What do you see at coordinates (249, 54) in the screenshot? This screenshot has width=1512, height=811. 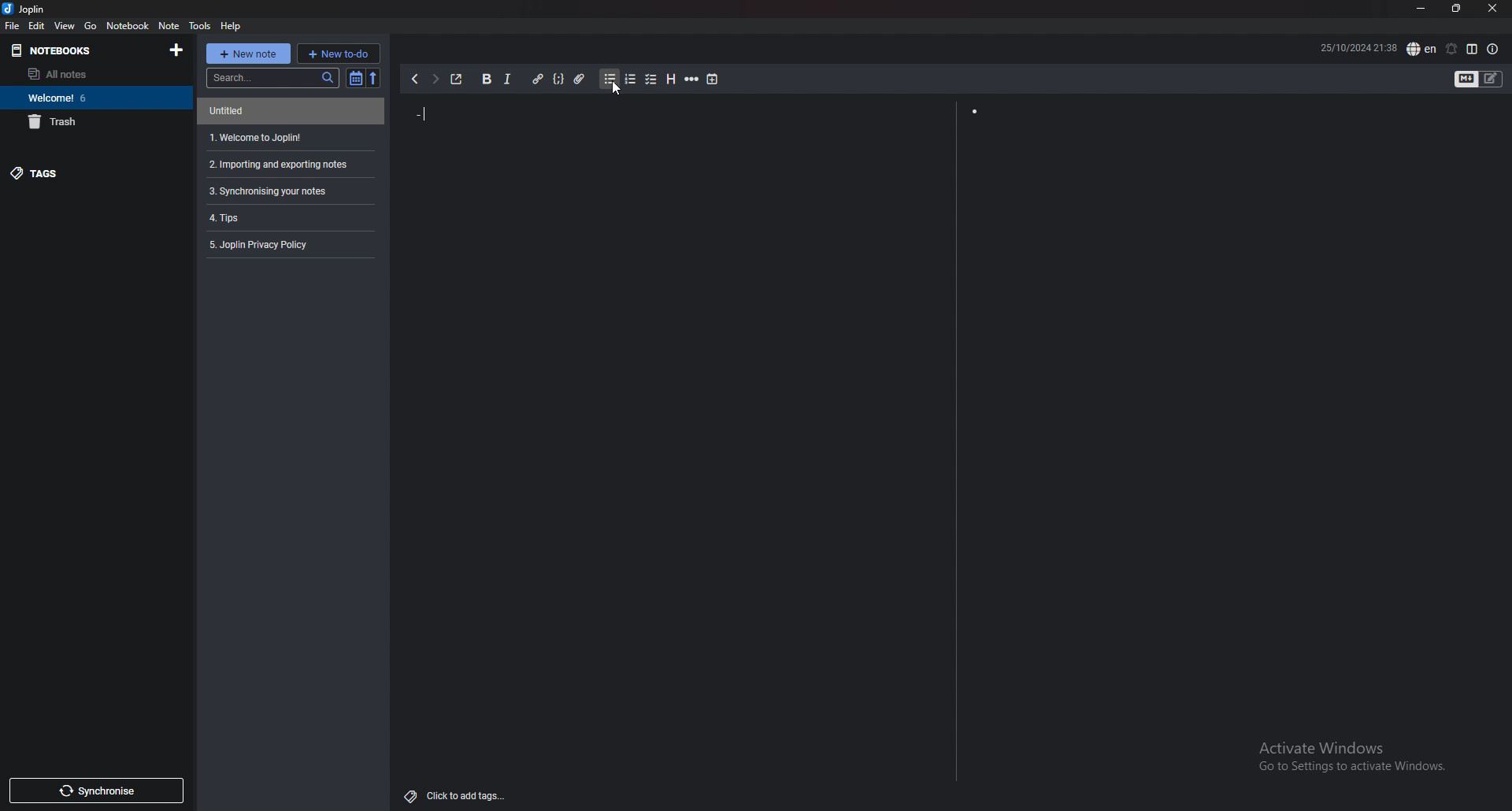 I see `New note` at bounding box center [249, 54].